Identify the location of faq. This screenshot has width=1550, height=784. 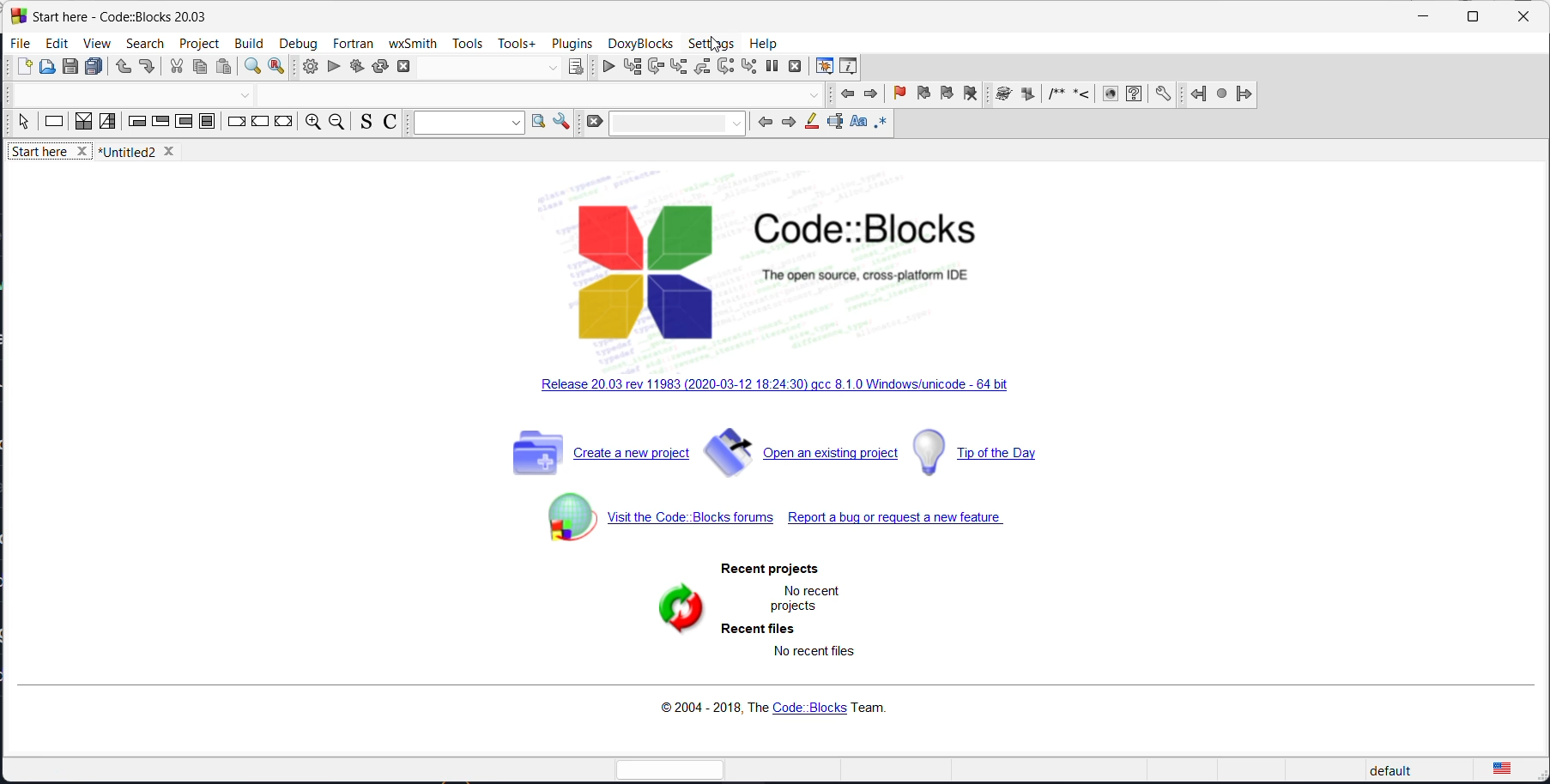
(1134, 95).